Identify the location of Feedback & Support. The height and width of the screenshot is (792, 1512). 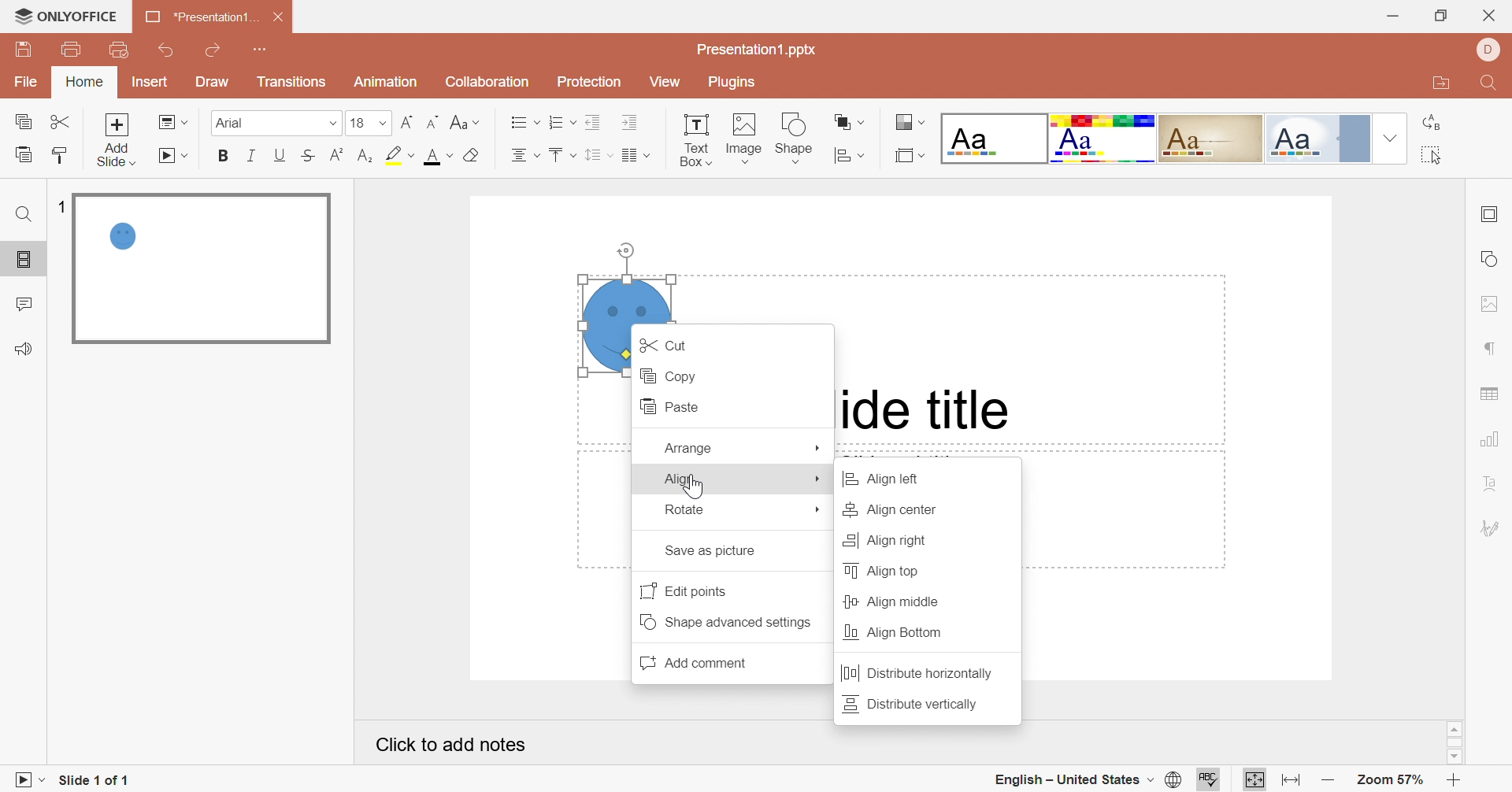
(25, 350).